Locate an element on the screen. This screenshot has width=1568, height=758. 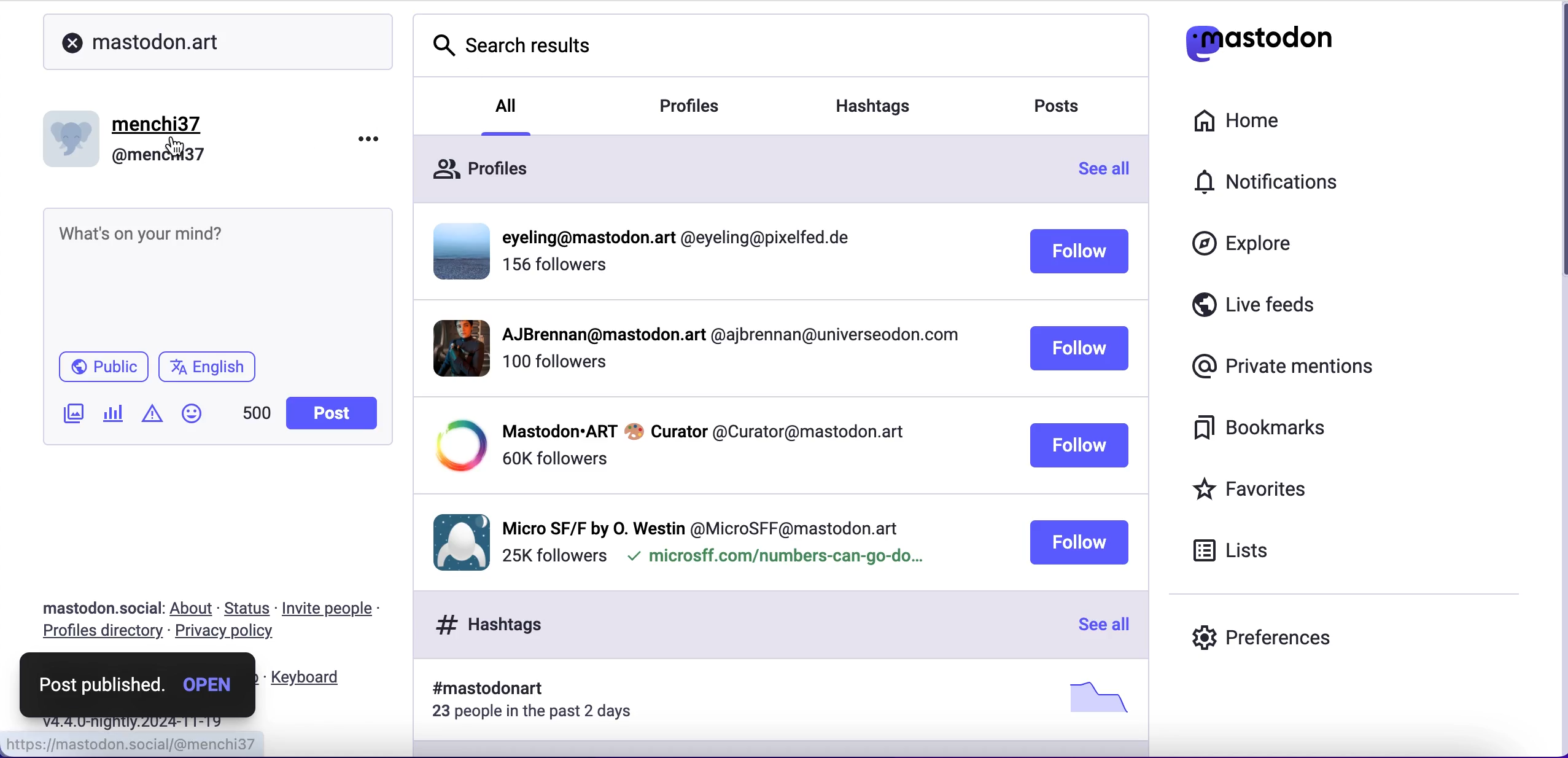
display picture is located at coordinates (457, 448).